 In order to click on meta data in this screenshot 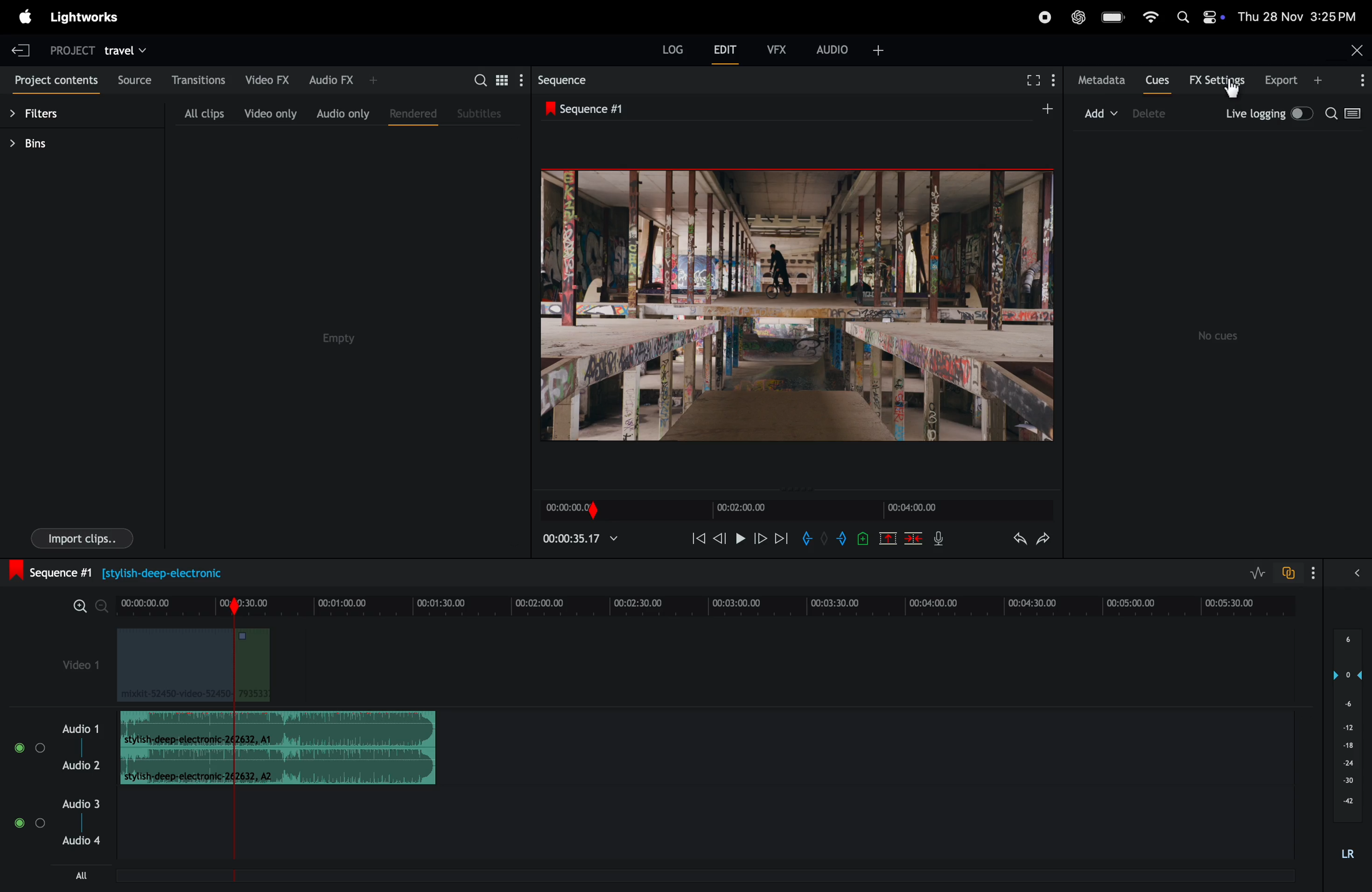, I will do `click(1100, 81)`.